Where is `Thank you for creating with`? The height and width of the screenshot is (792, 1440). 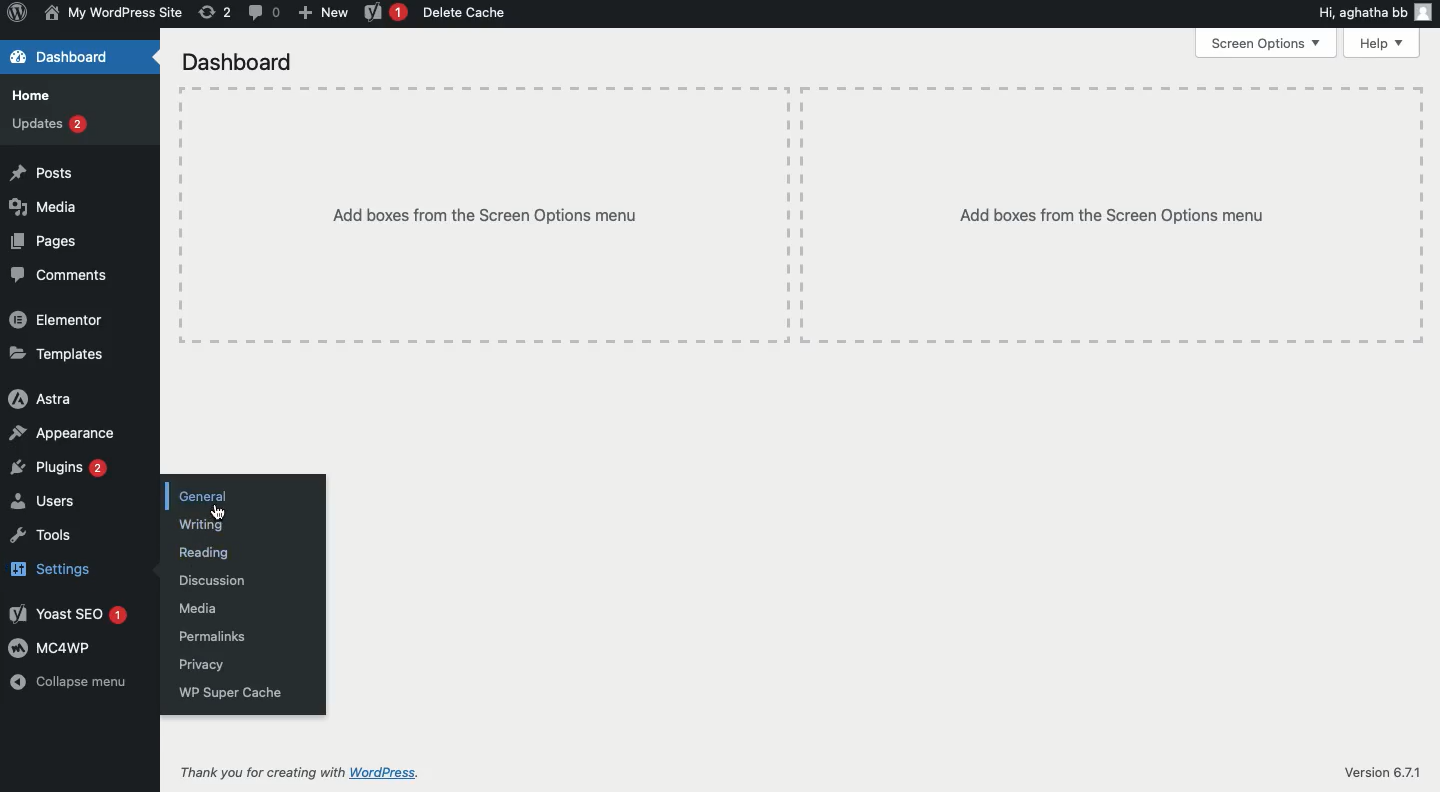
Thank you for creating with is located at coordinates (253, 767).